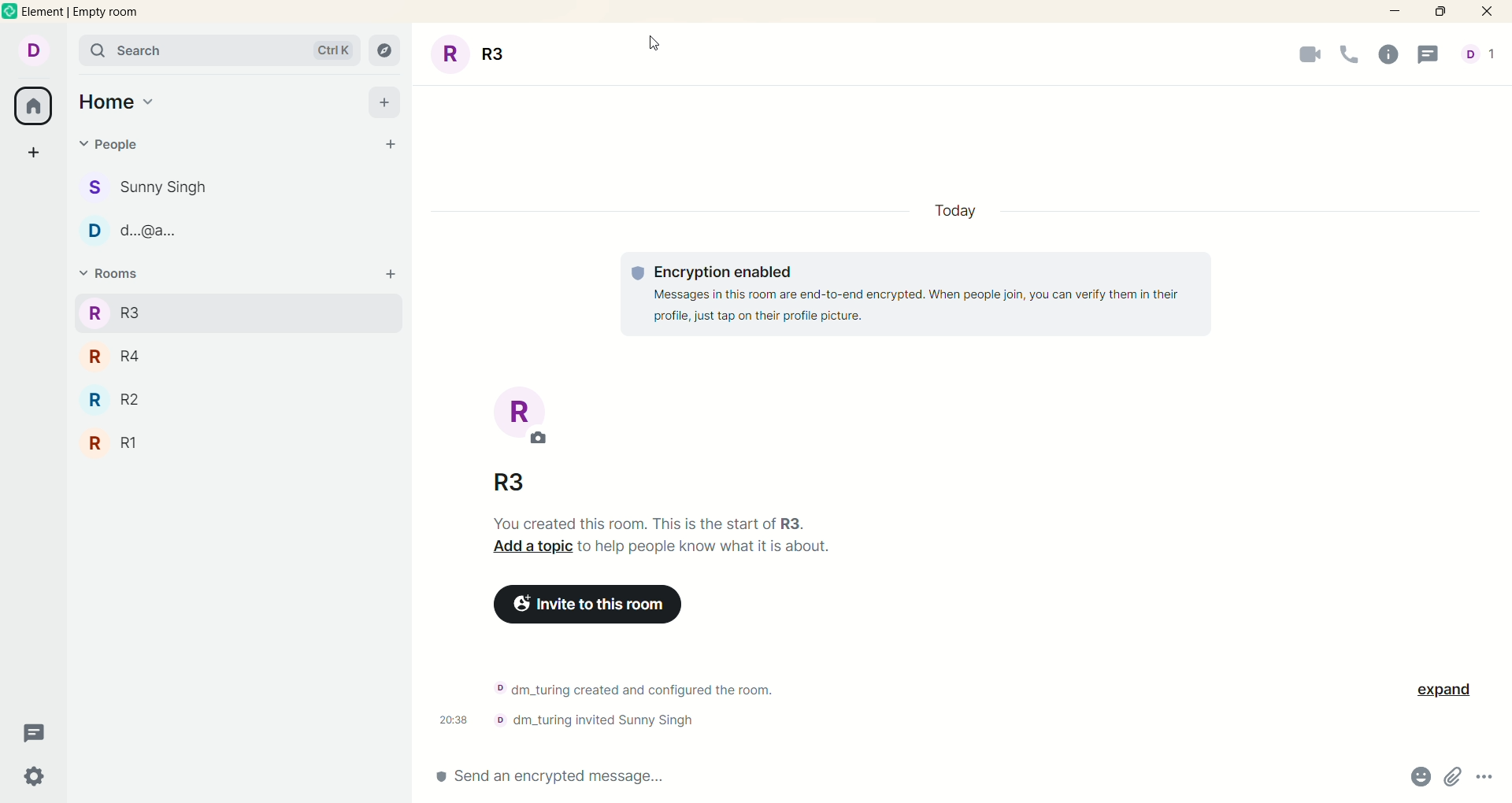 The width and height of the screenshot is (1512, 803). What do you see at coordinates (1347, 56) in the screenshot?
I see `voice call` at bounding box center [1347, 56].